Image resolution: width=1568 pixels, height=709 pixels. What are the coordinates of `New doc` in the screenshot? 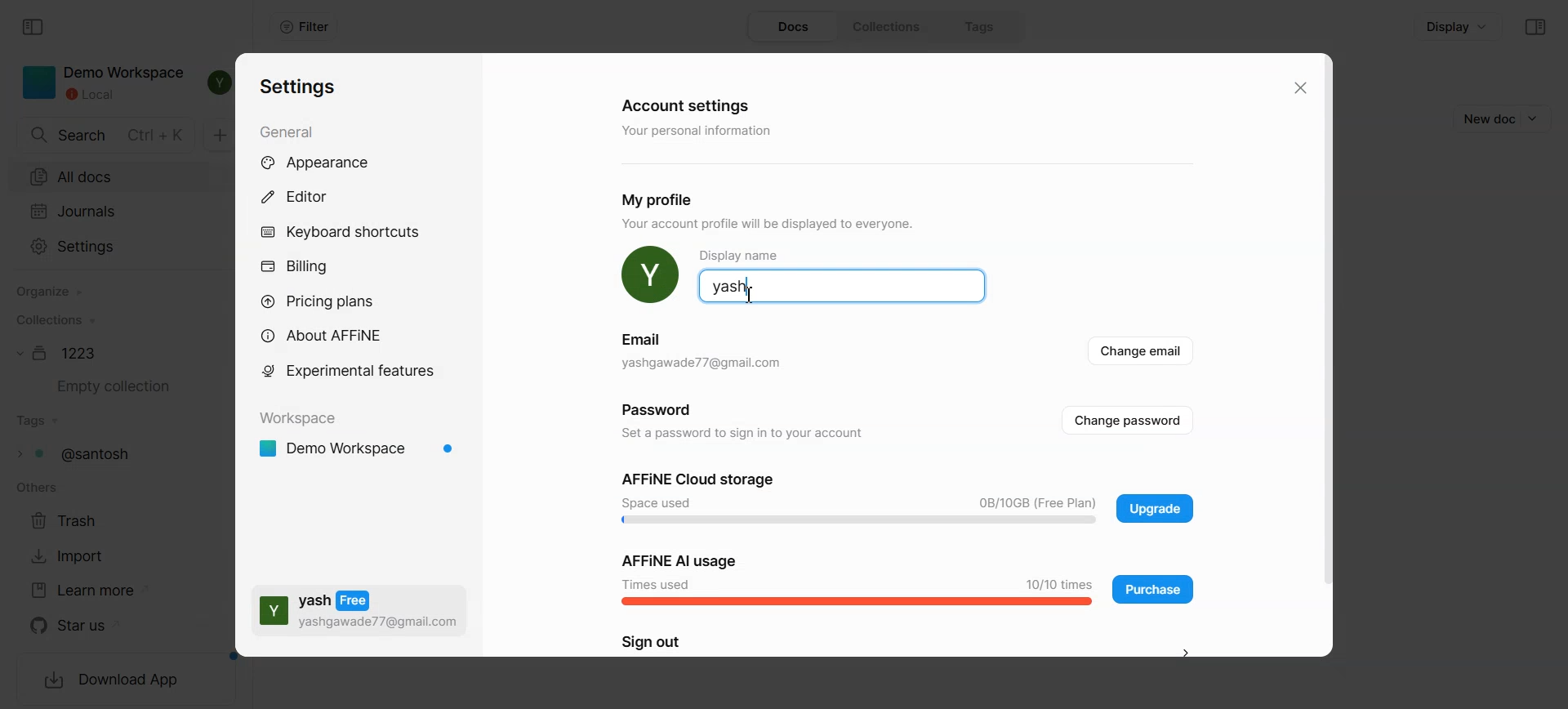 It's located at (1484, 118).